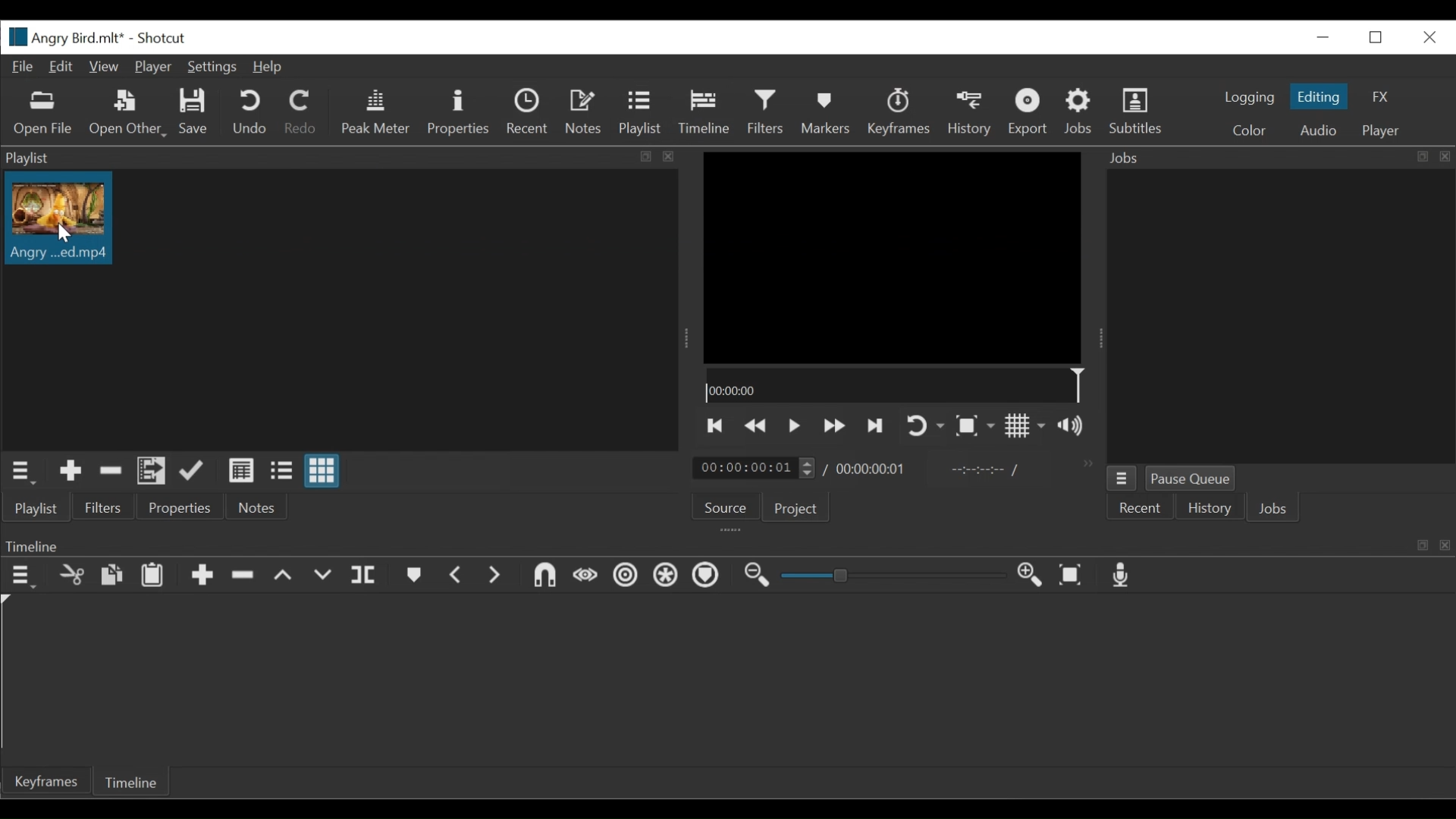  I want to click on Recent, so click(1143, 508).